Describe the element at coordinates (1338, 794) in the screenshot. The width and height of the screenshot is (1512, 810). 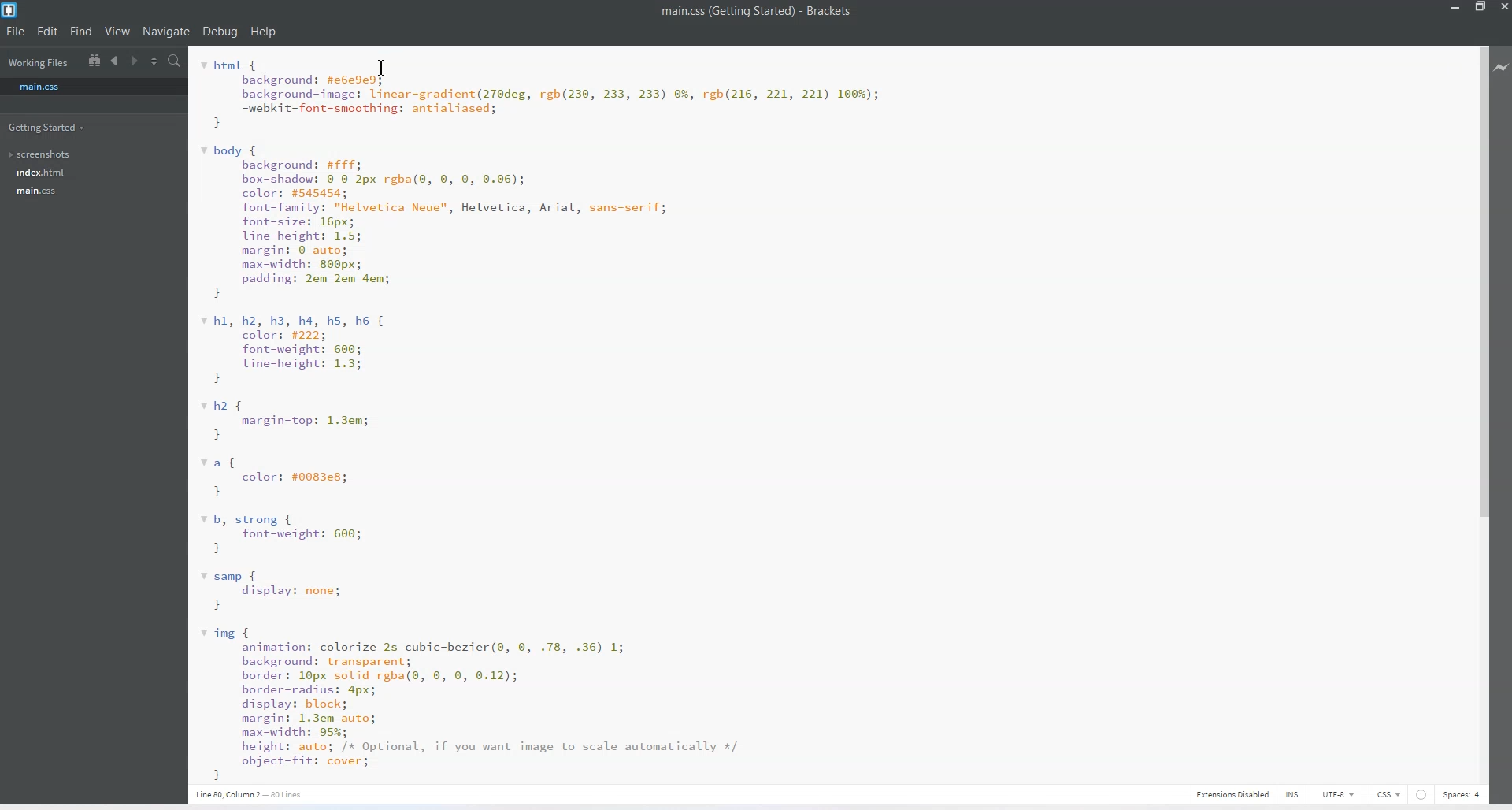
I see `UTF-8` at that location.